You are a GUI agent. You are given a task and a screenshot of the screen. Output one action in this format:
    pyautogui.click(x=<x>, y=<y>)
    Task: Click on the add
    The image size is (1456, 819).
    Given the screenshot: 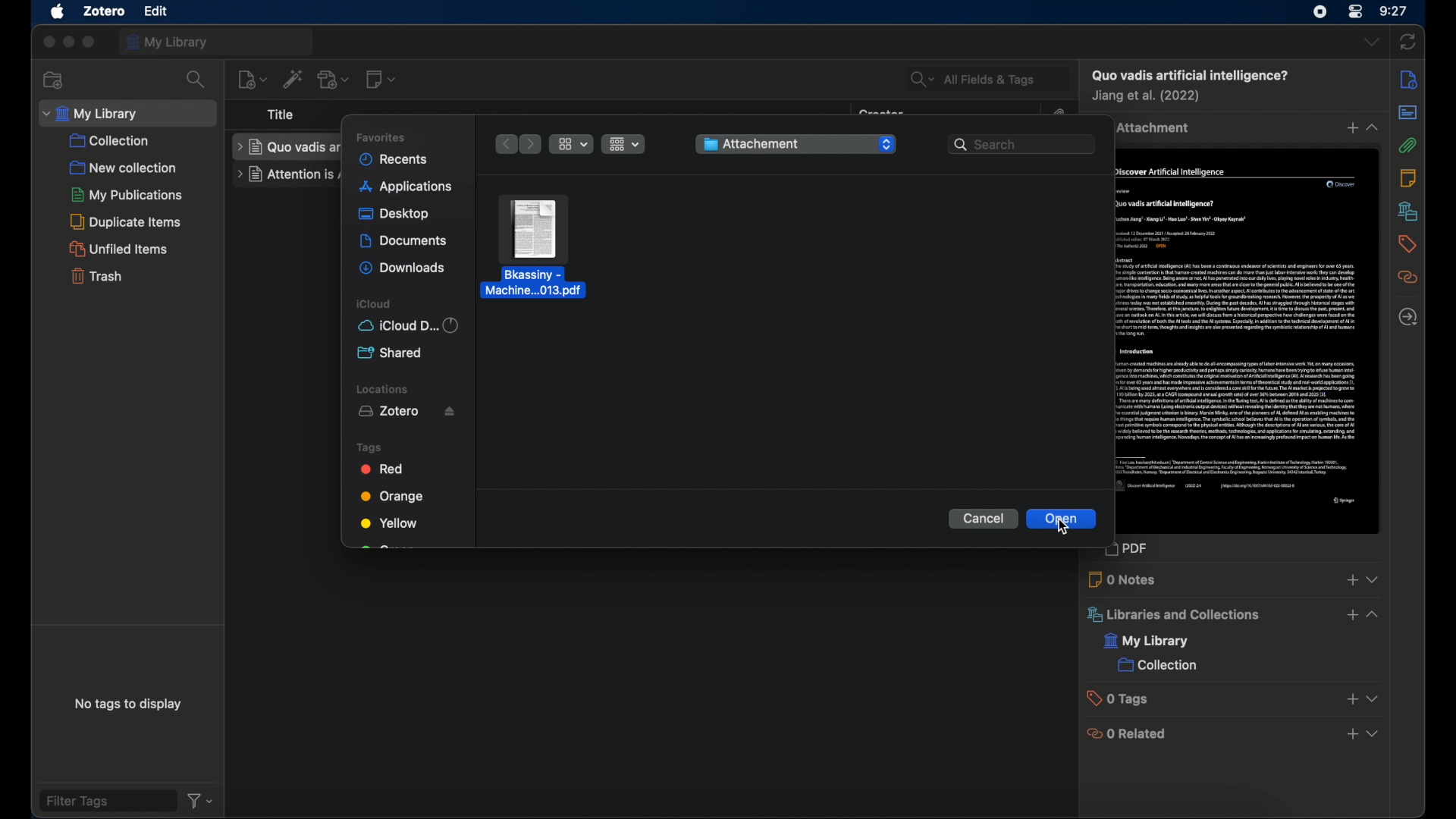 What is the action you would take?
    pyautogui.click(x=1351, y=580)
    